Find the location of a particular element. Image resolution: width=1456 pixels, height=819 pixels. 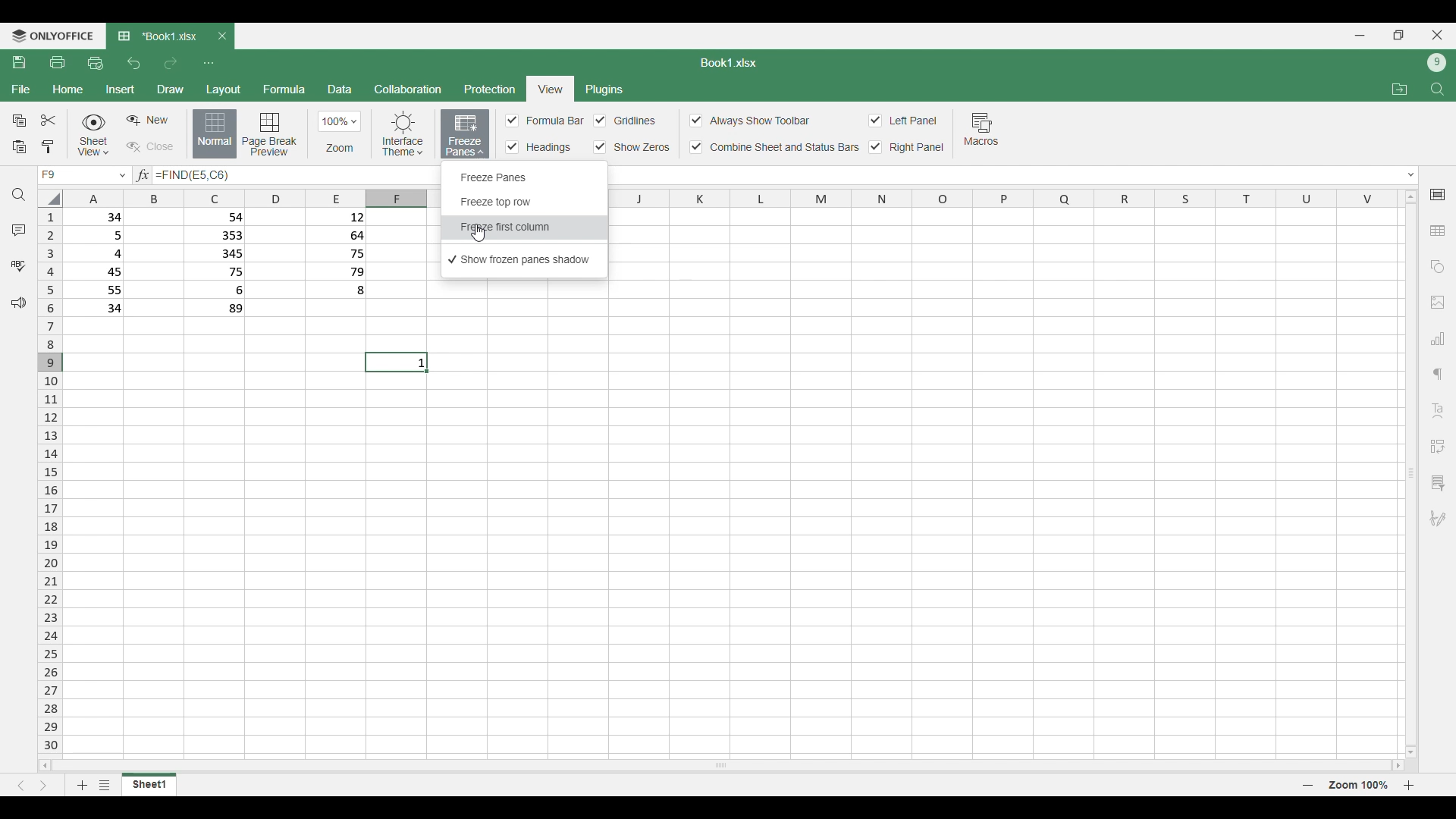

row 1: 34  54 12   row 2: 5 353 64    row 3: 4  345  75  row 4: 45  75  79  row 5: 55  6  8  row 6:  34   89 is located at coordinates (234, 268).